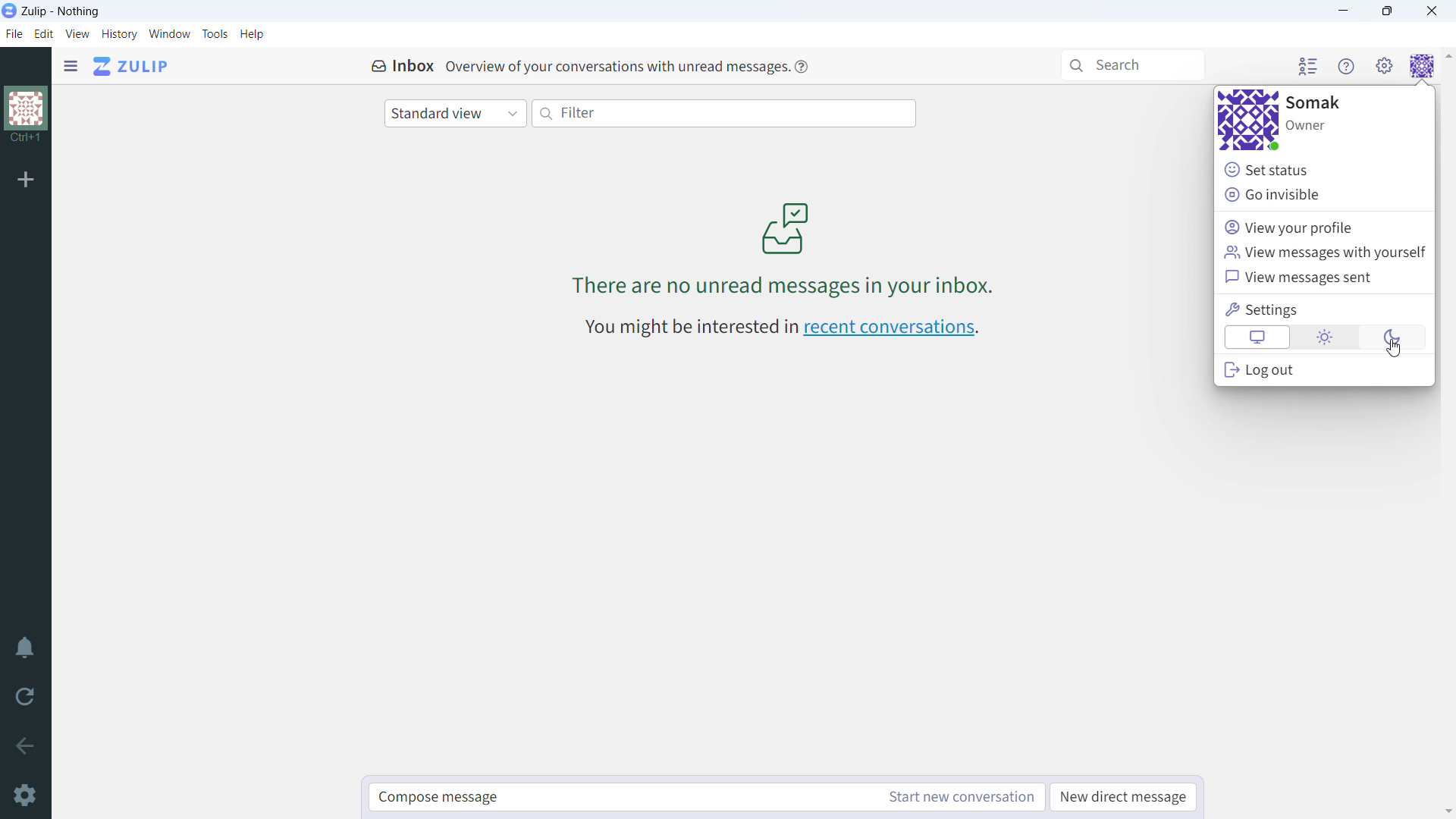  Describe the element at coordinates (781, 326) in the screenshot. I see `recent conversationa` at that location.